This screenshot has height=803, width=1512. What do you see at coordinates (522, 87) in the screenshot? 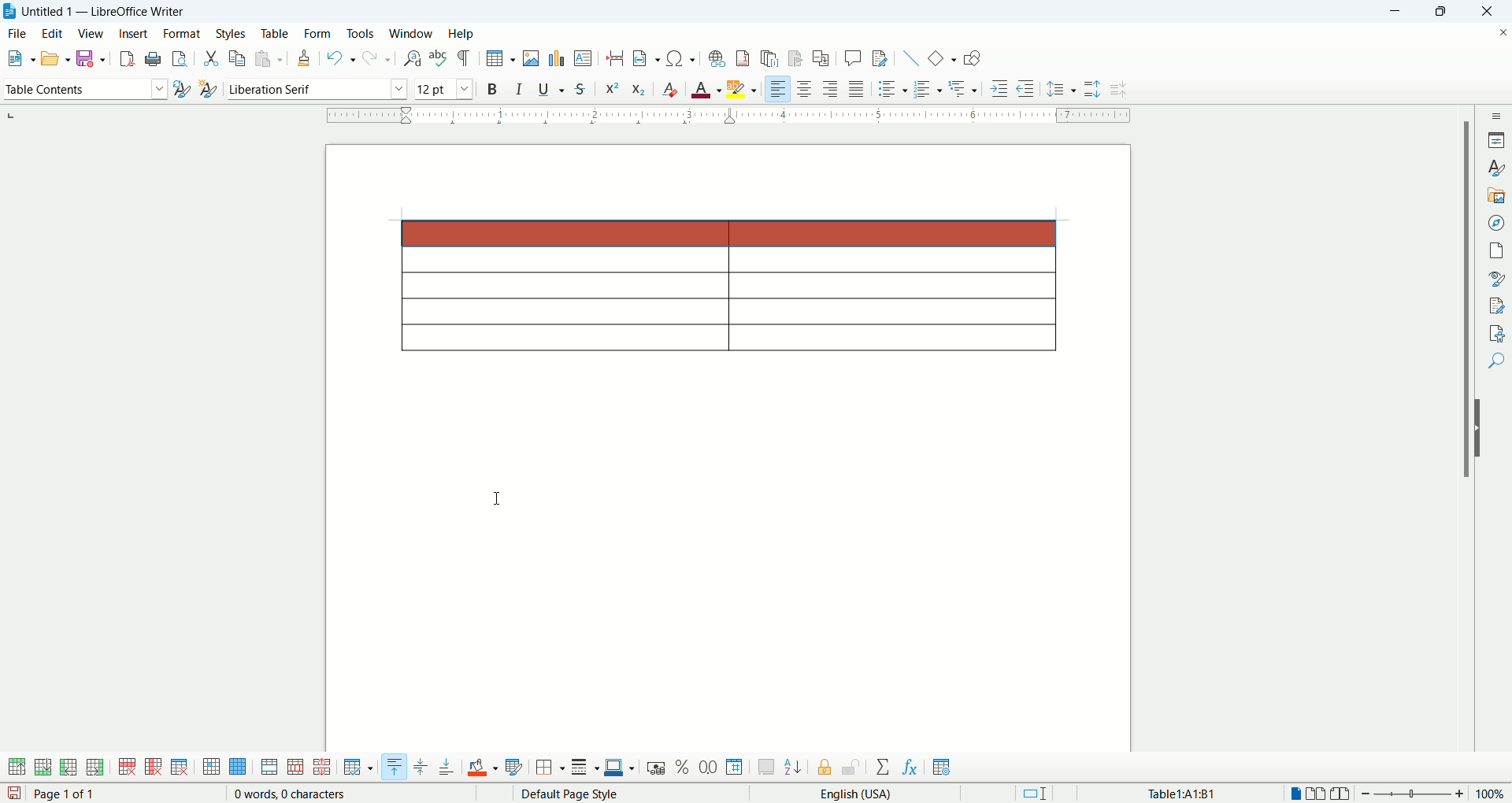
I see `italic` at bounding box center [522, 87].